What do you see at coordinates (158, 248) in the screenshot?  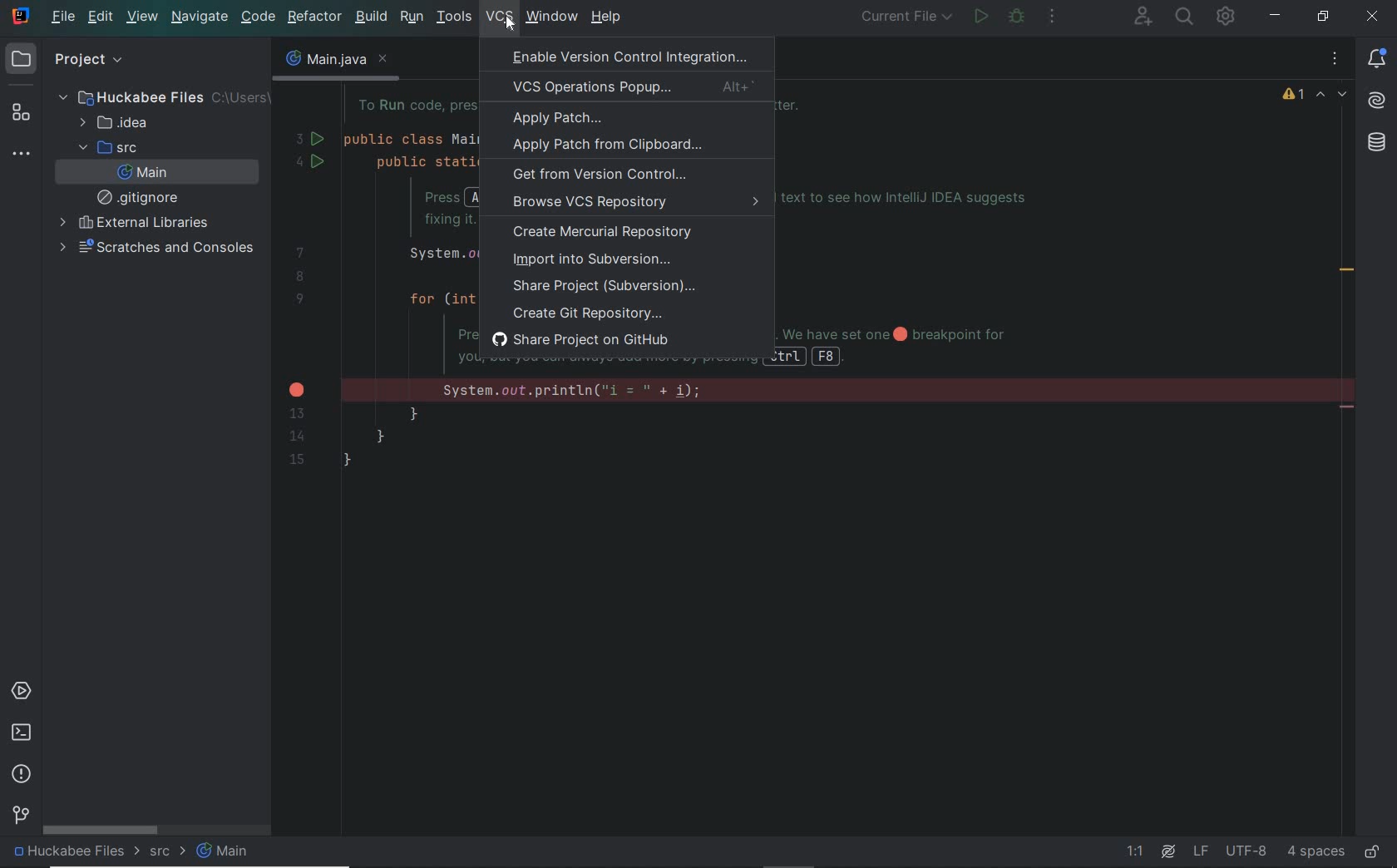 I see `scratches and consoles` at bounding box center [158, 248].